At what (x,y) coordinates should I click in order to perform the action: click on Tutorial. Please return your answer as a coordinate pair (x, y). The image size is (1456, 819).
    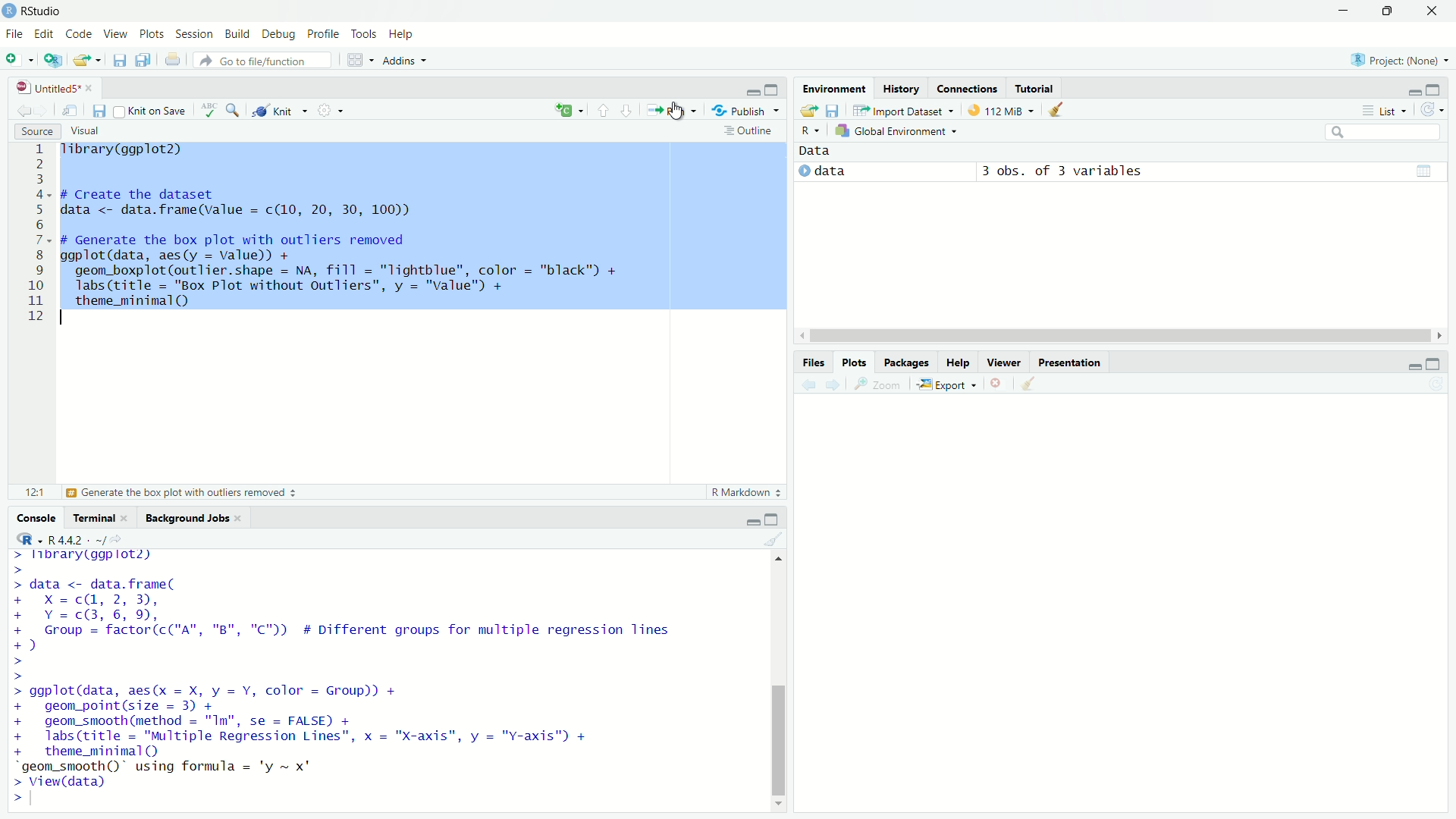
    Looking at the image, I should click on (1036, 86).